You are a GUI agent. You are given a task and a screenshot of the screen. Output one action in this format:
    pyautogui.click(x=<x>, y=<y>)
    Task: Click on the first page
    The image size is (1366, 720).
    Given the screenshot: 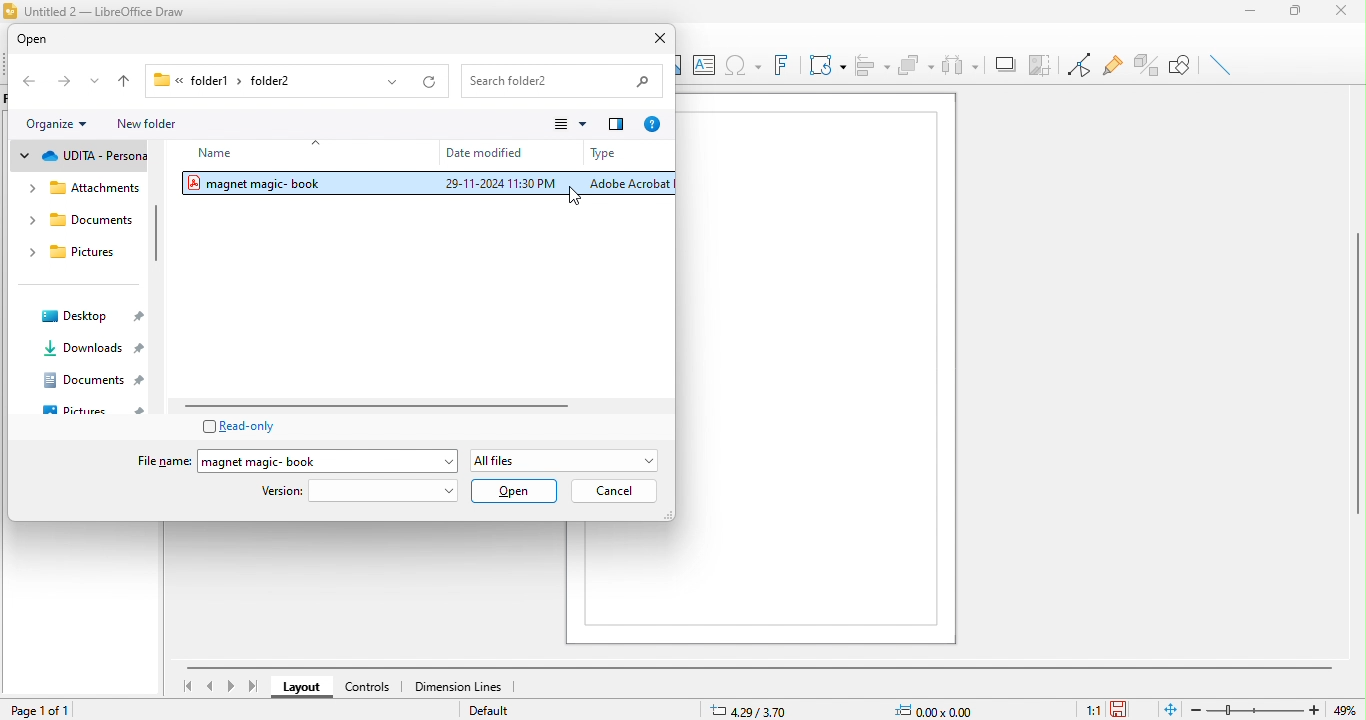 What is the action you would take?
    pyautogui.click(x=186, y=685)
    